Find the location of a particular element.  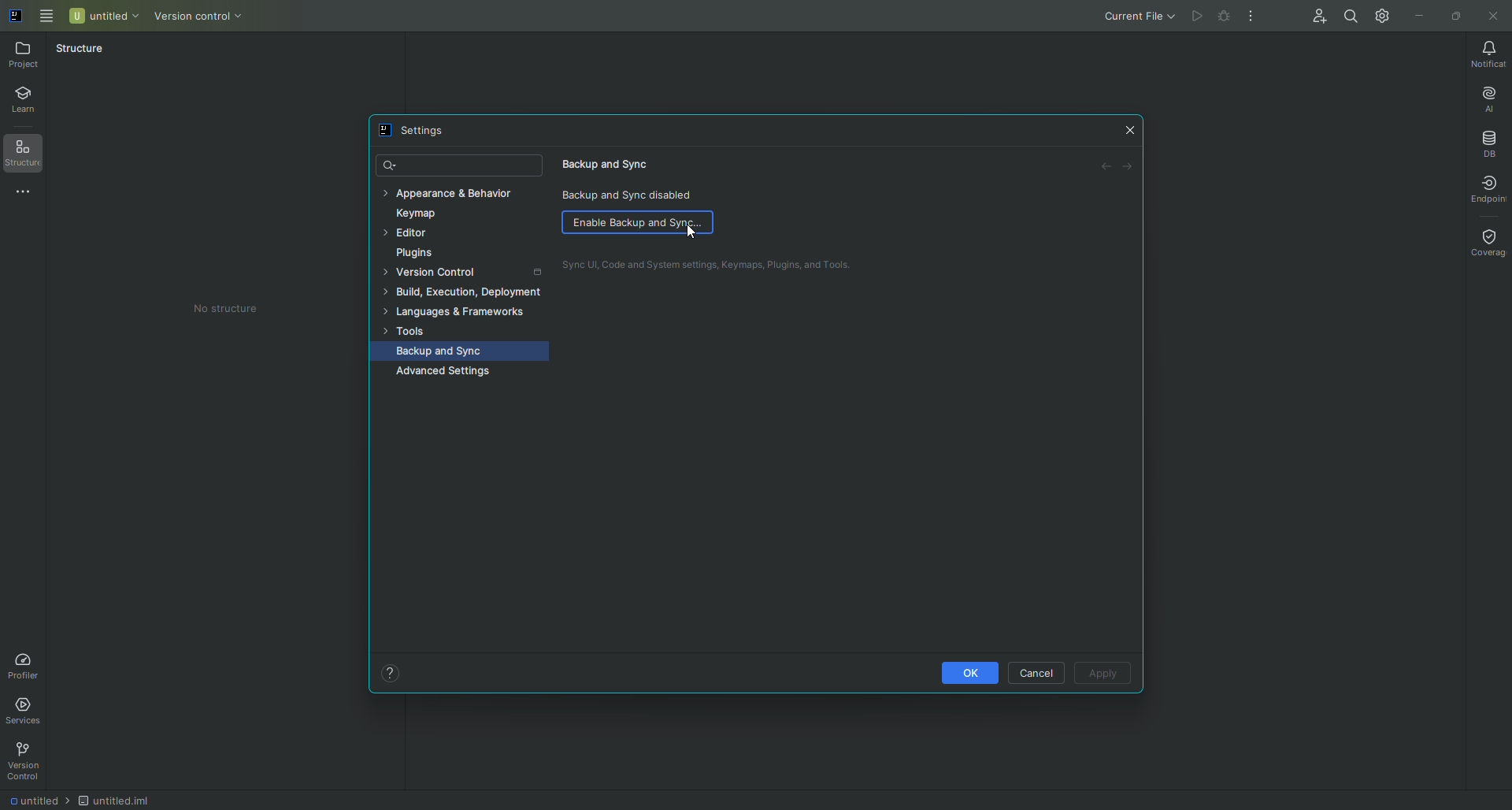

Close is located at coordinates (1129, 131).